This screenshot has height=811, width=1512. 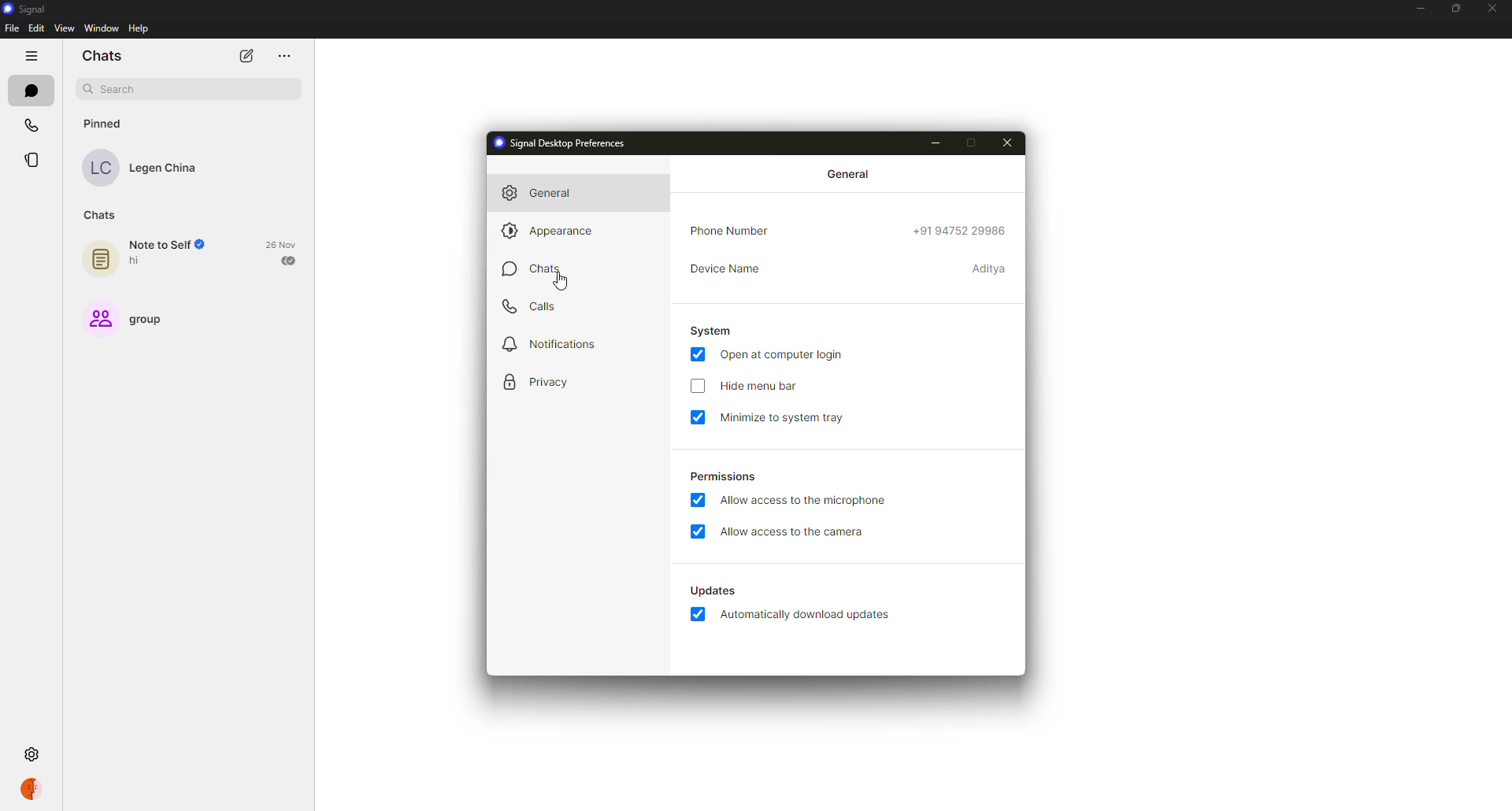 I want to click on window, so click(x=102, y=28).